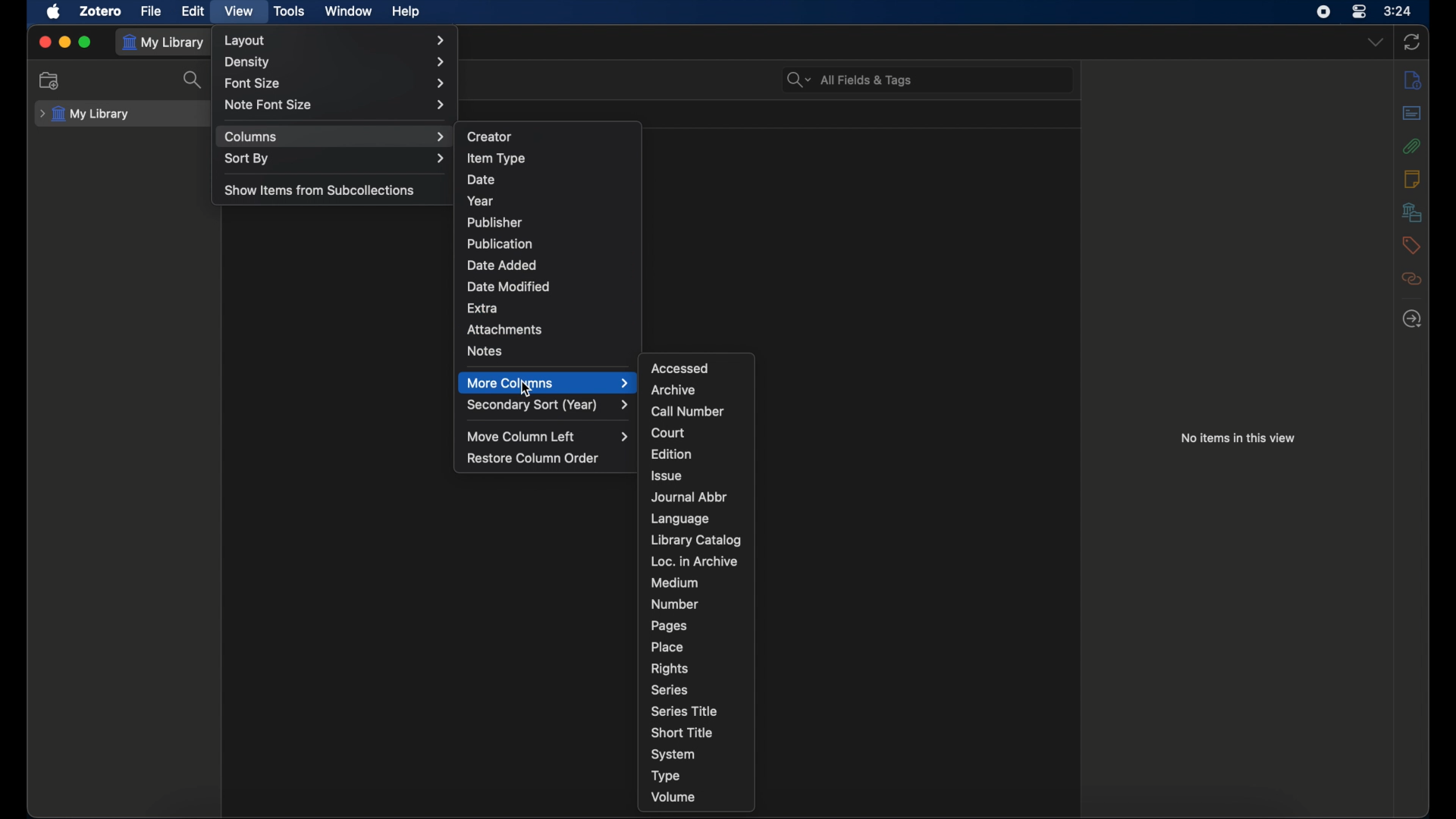 The height and width of the screenshot is (819, 1456). I want to click on language, so click(679, 519).